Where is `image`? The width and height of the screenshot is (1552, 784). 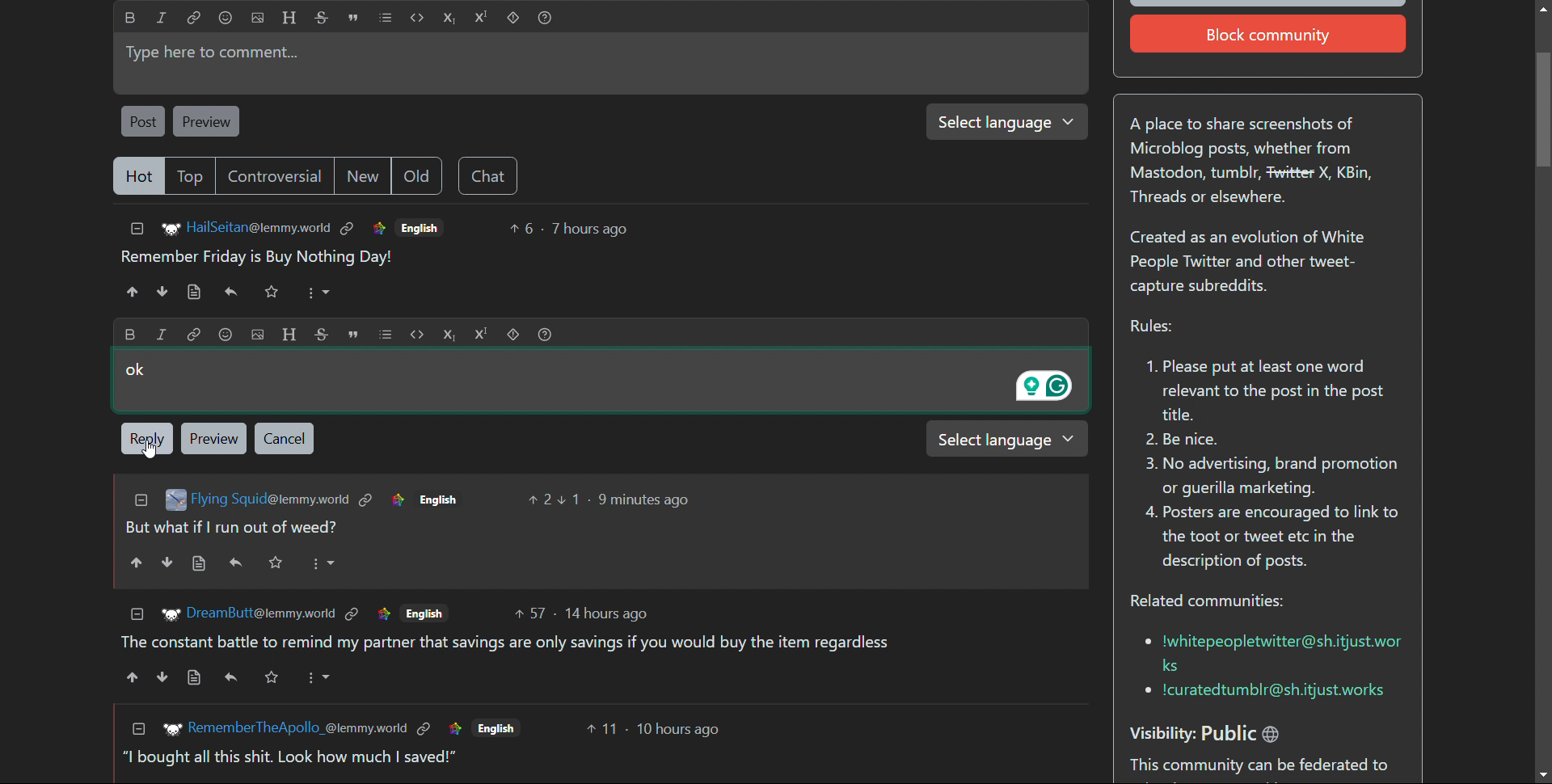 image is located at coordinates (174, 501).